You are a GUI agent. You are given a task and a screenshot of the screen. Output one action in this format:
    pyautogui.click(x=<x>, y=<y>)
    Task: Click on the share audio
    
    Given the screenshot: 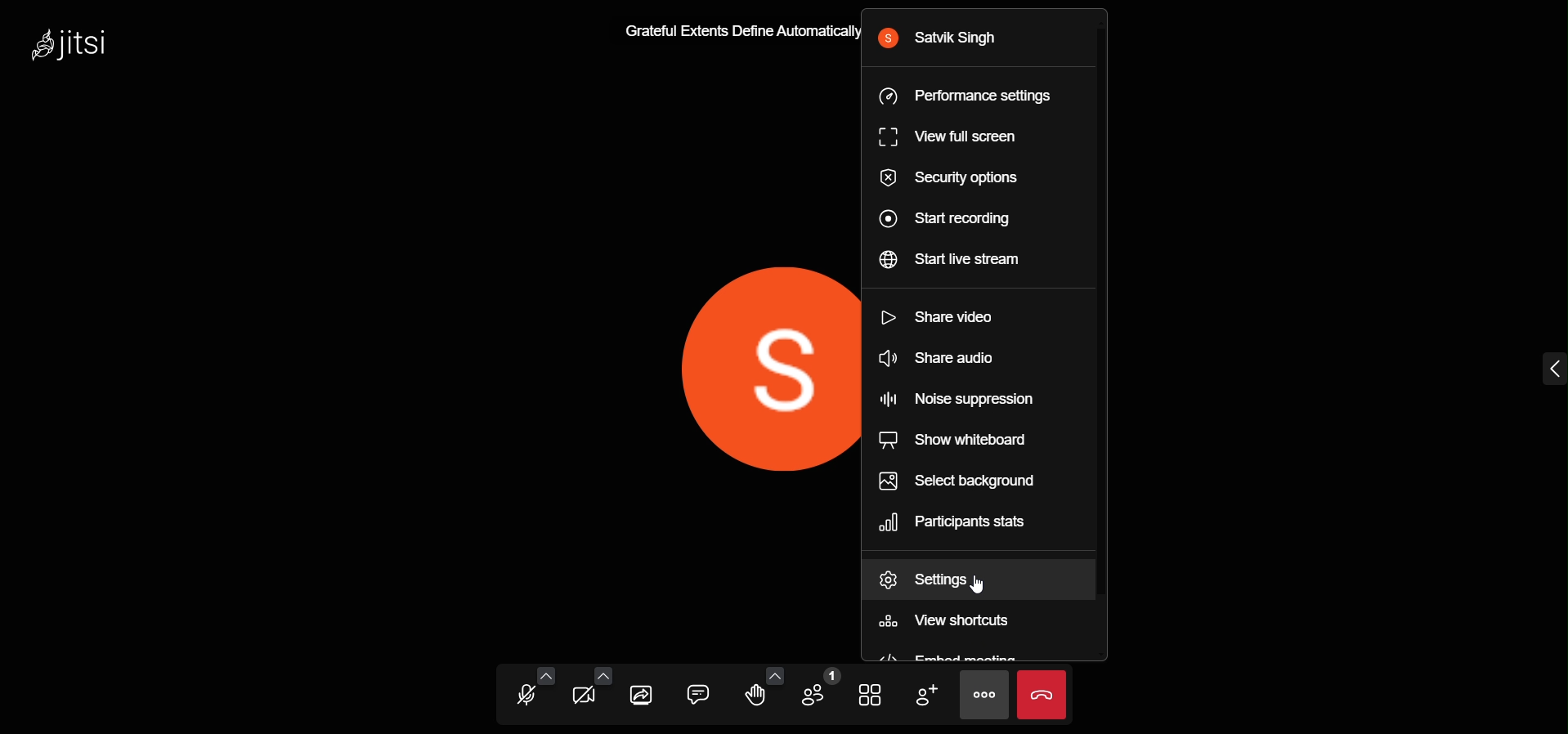 What is the action you would take?
    pyautogui.click(x=950, y=357)
    